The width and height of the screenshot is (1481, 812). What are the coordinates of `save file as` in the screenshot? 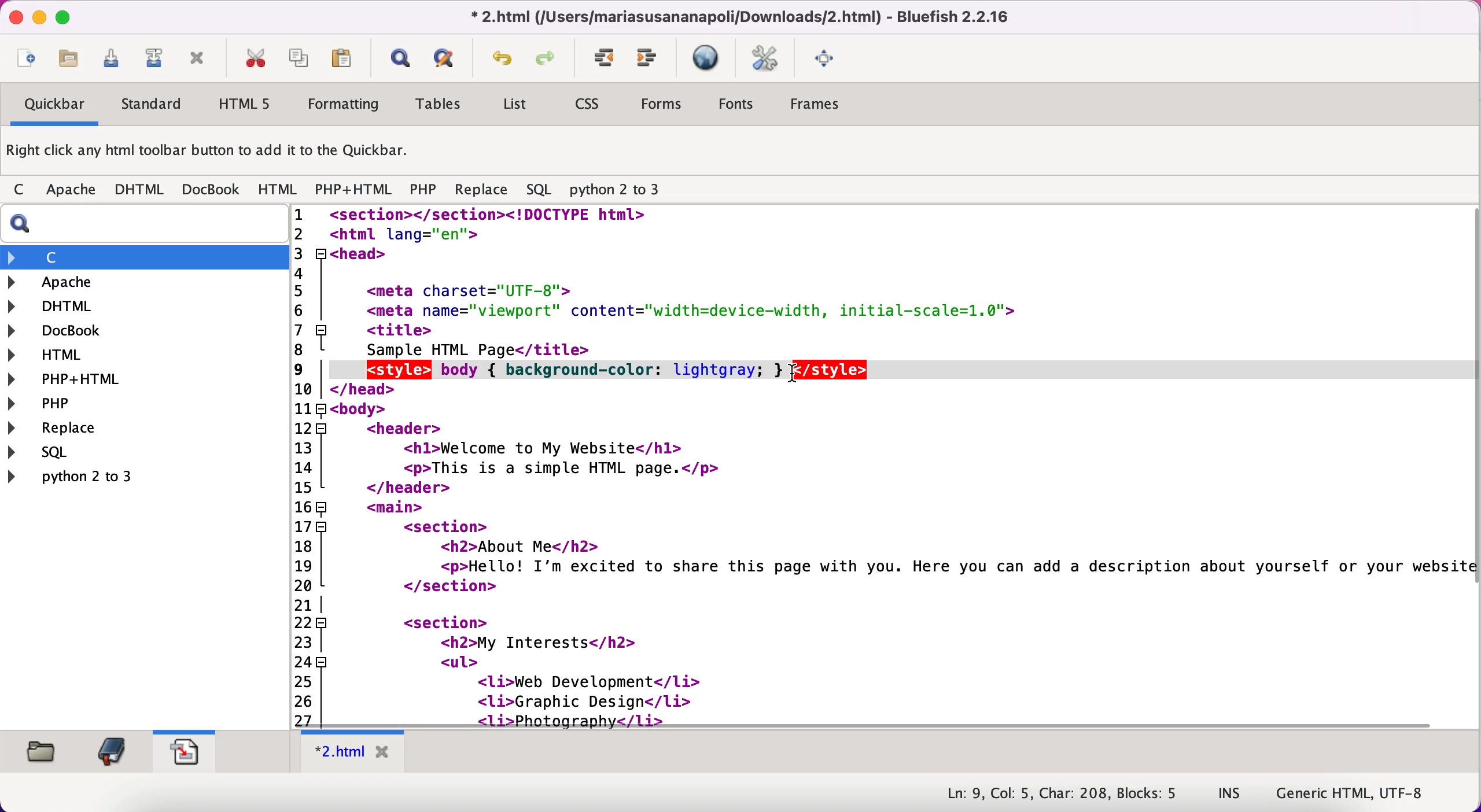 It's located at (153, 58).